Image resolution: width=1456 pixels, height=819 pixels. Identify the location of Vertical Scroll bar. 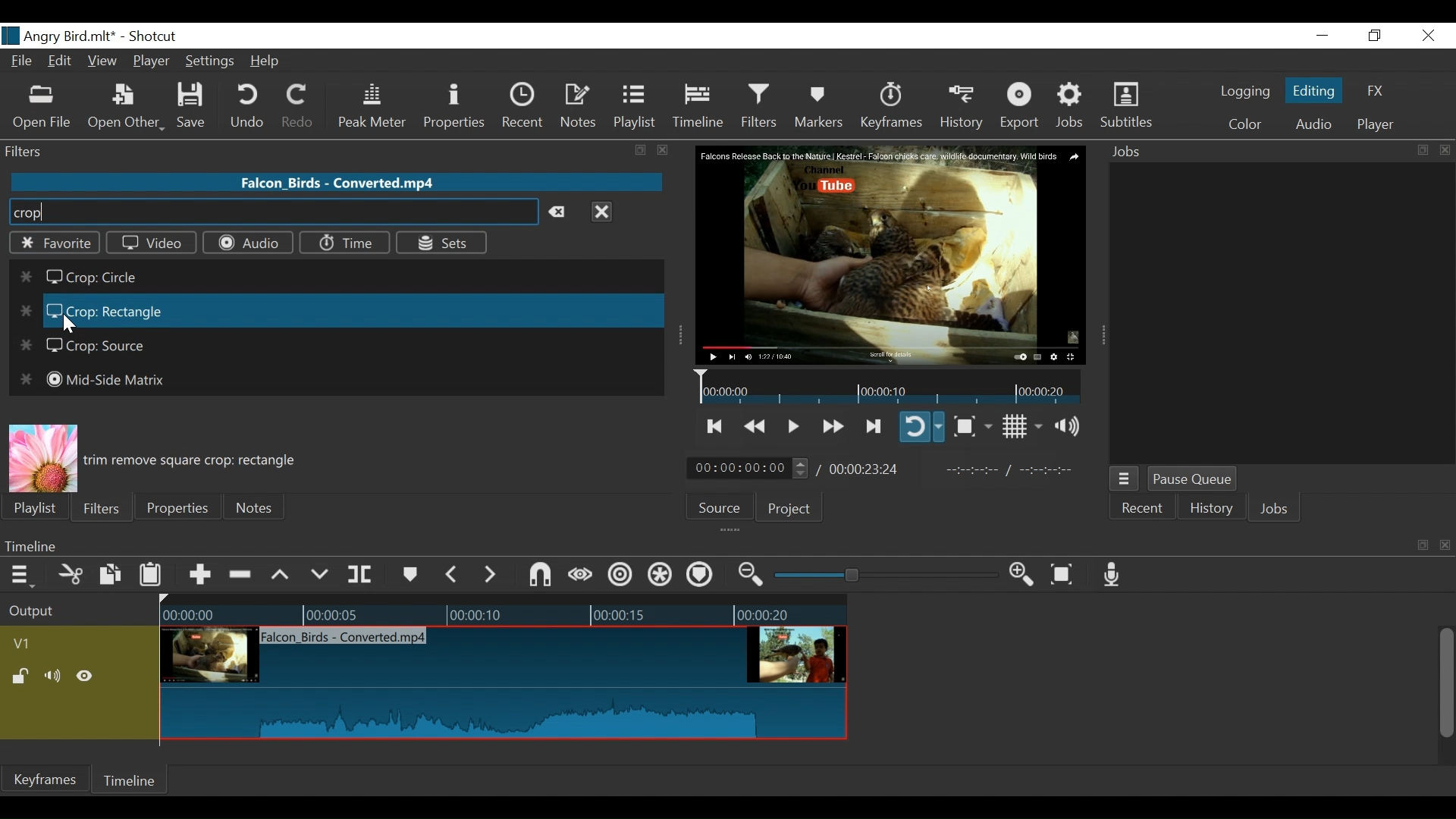
(1445, 685).